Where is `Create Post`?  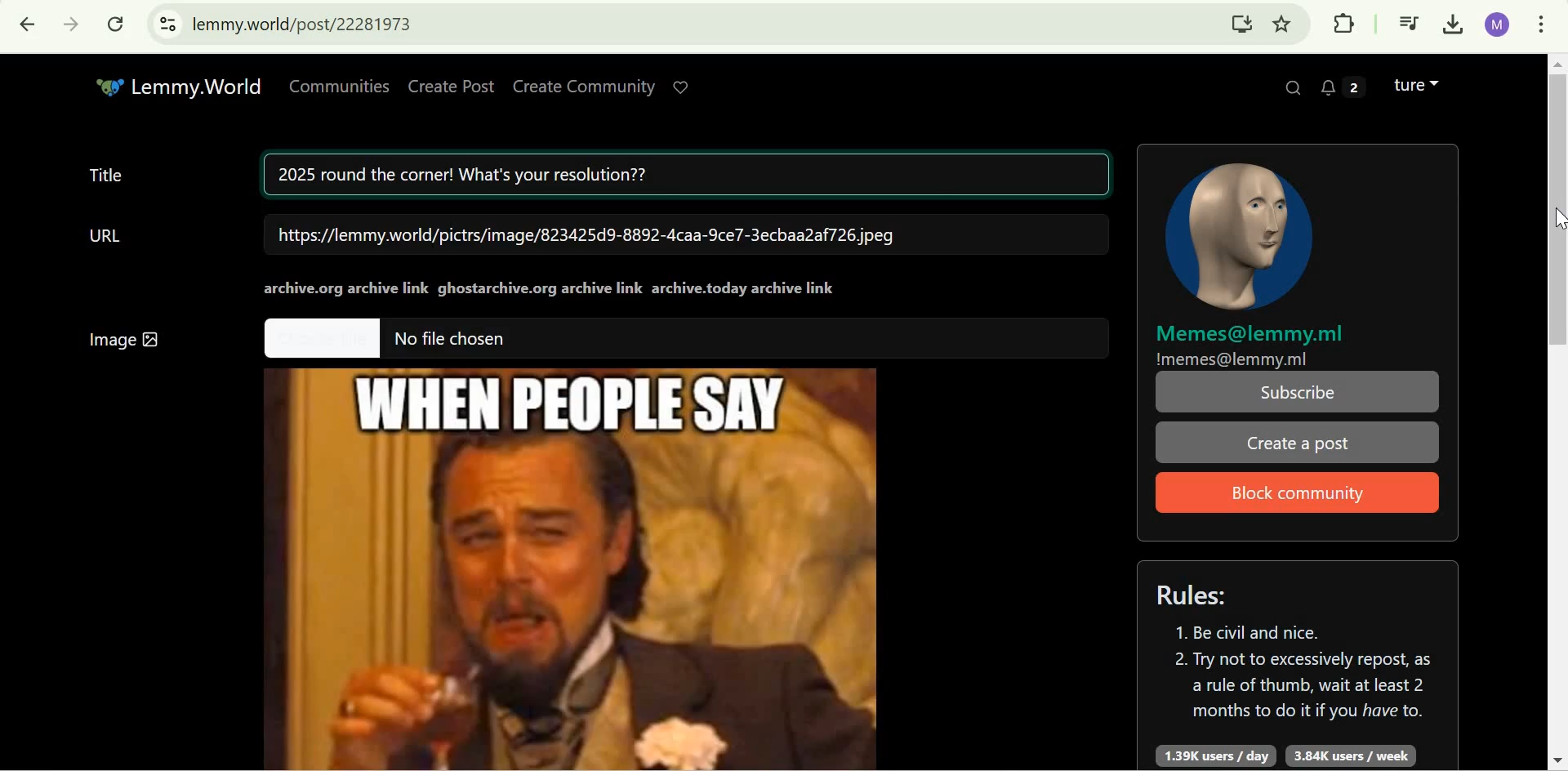 Create Post is located at coordinates (452, 87).